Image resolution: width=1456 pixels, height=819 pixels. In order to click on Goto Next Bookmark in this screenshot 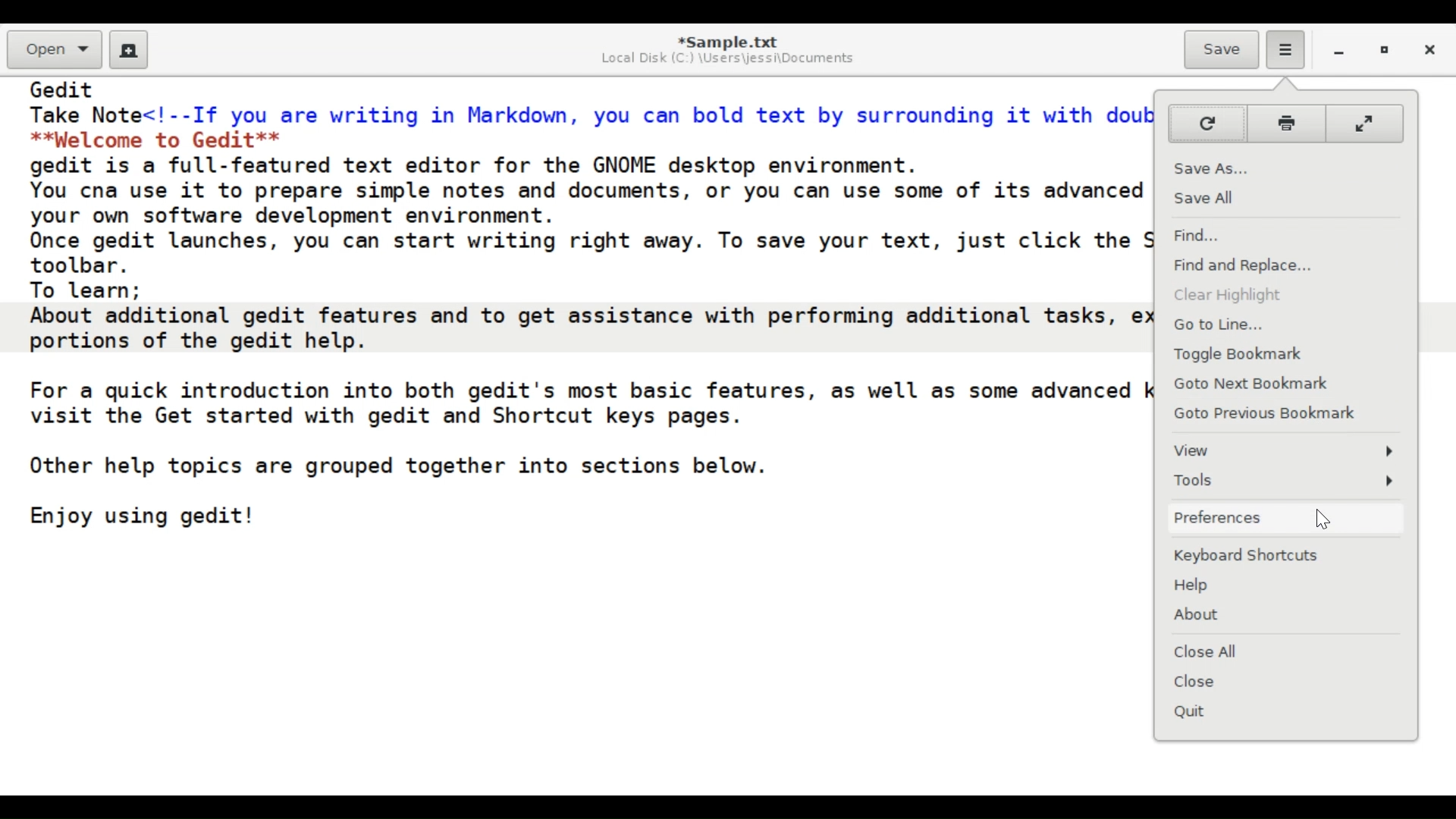, I will do `click(1286, 384)`.